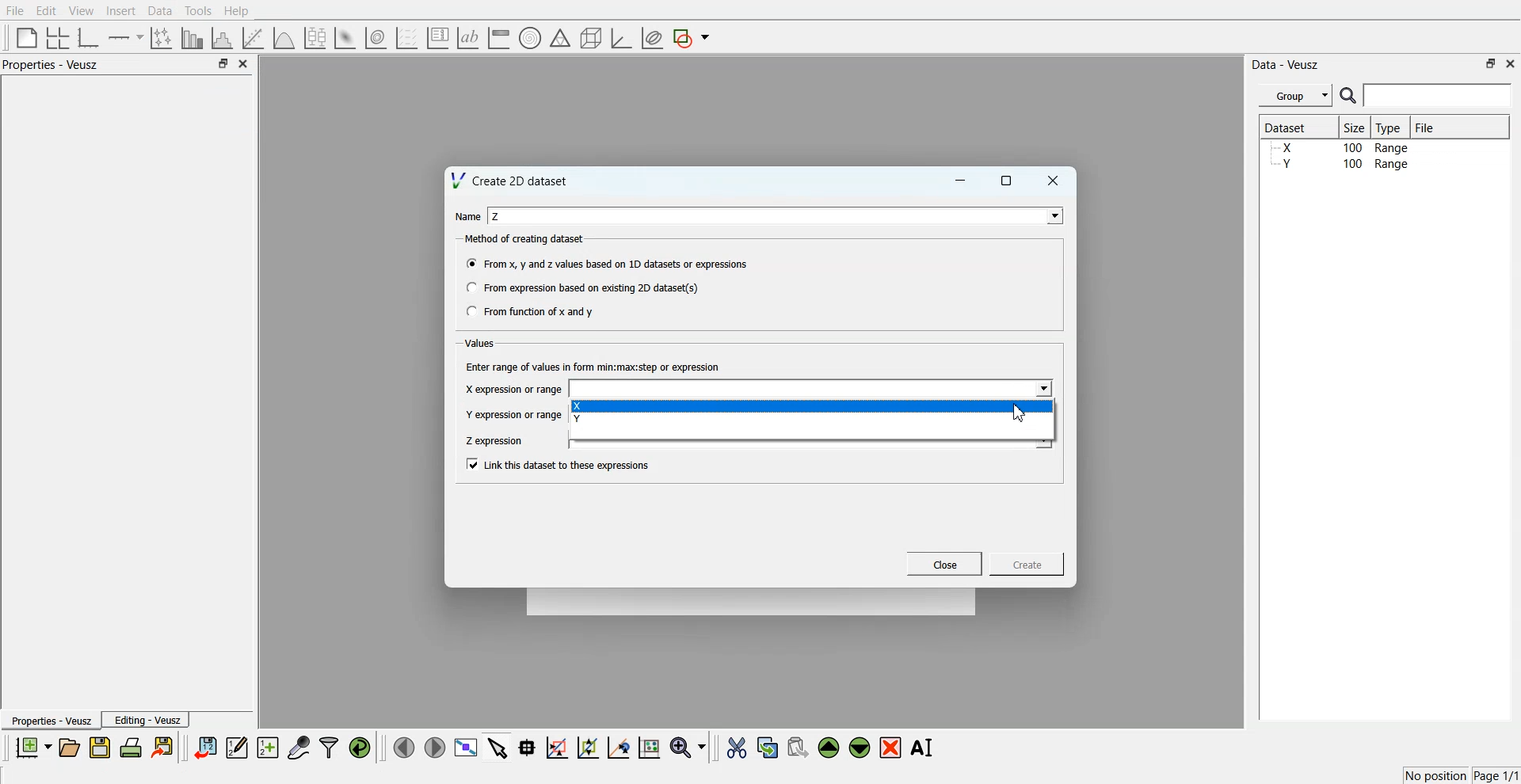 This screenshot has height=784, width=1521. What do you see at coordinates (32, 747) in the screenshot?
I see `New document` at bounding box center [32, 747].